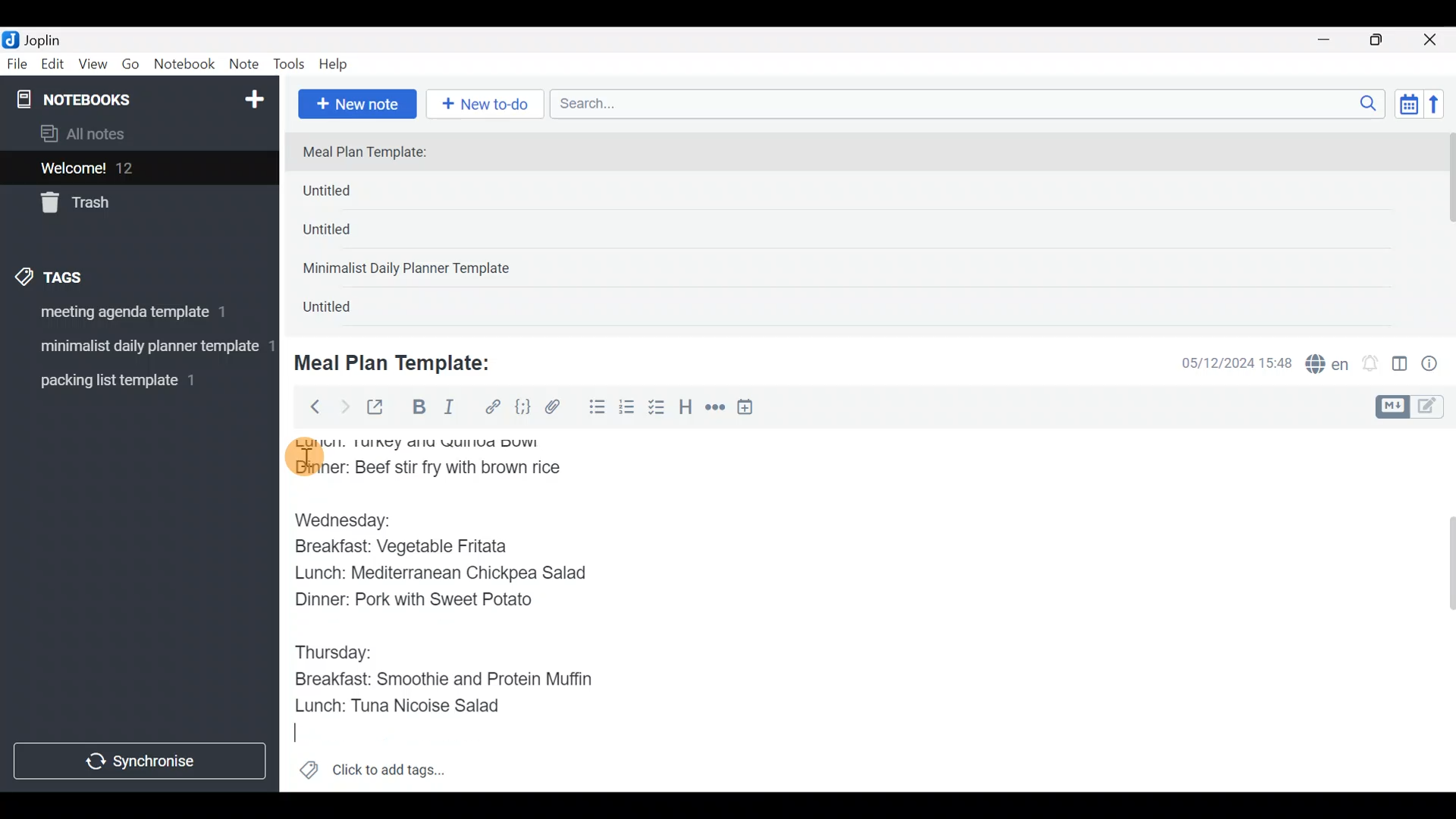 The image size is (1456, 819). Describe the element at coordinates (447, 410) in the screenshot. I see `Italic` at that location.